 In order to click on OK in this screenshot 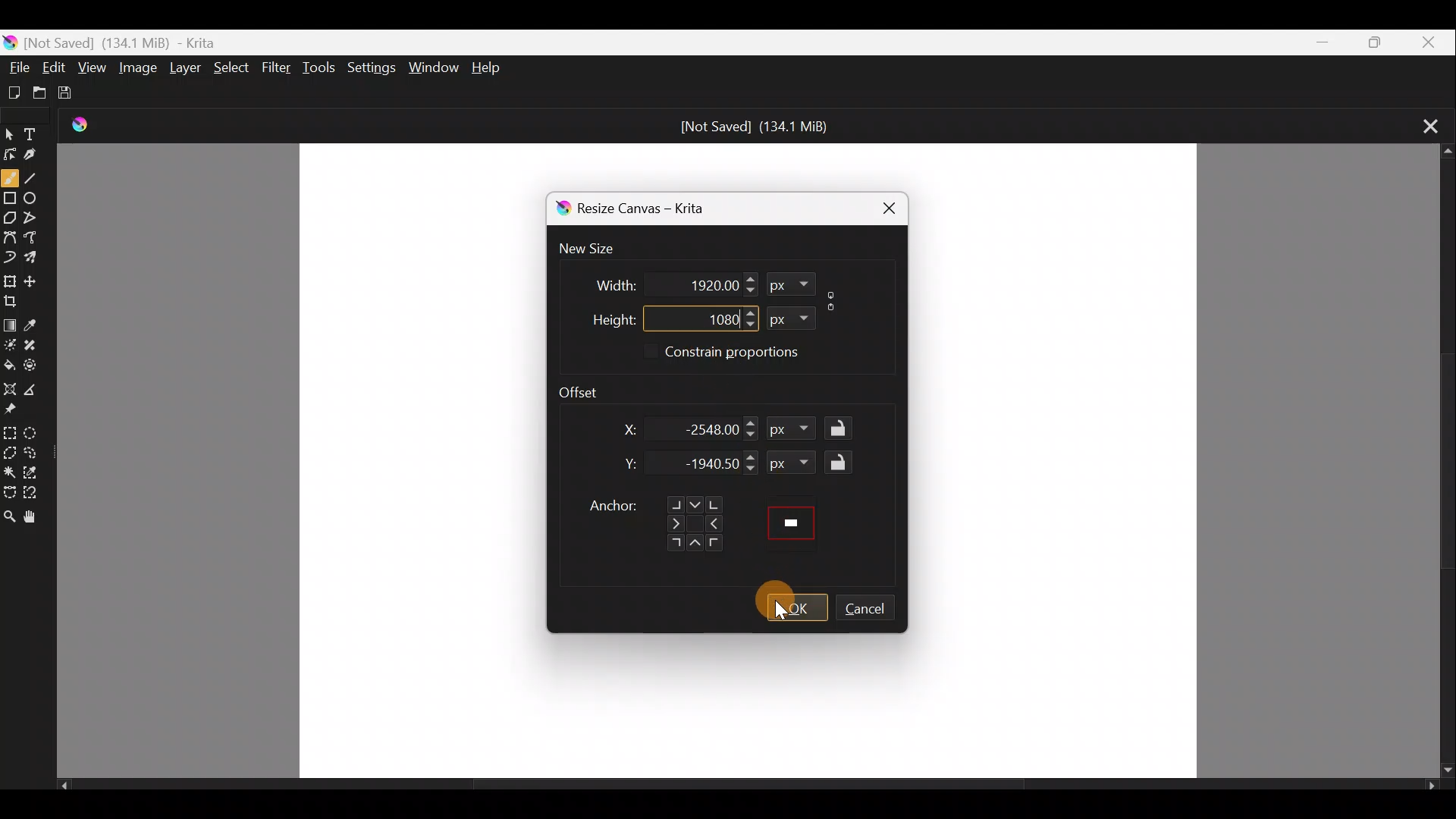, I will do `click(797, 608)`.